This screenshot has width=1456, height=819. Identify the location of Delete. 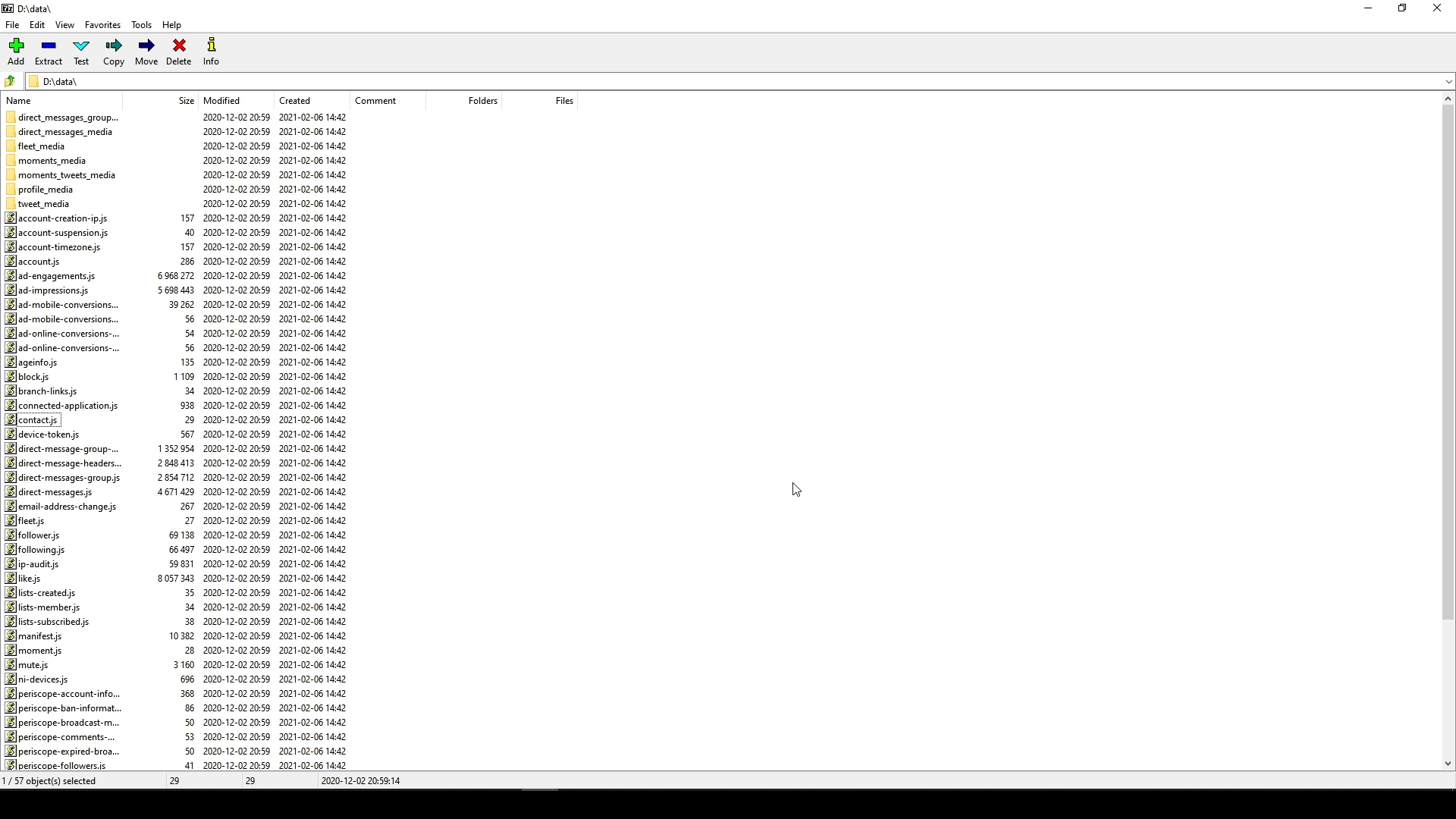
(178, 54).